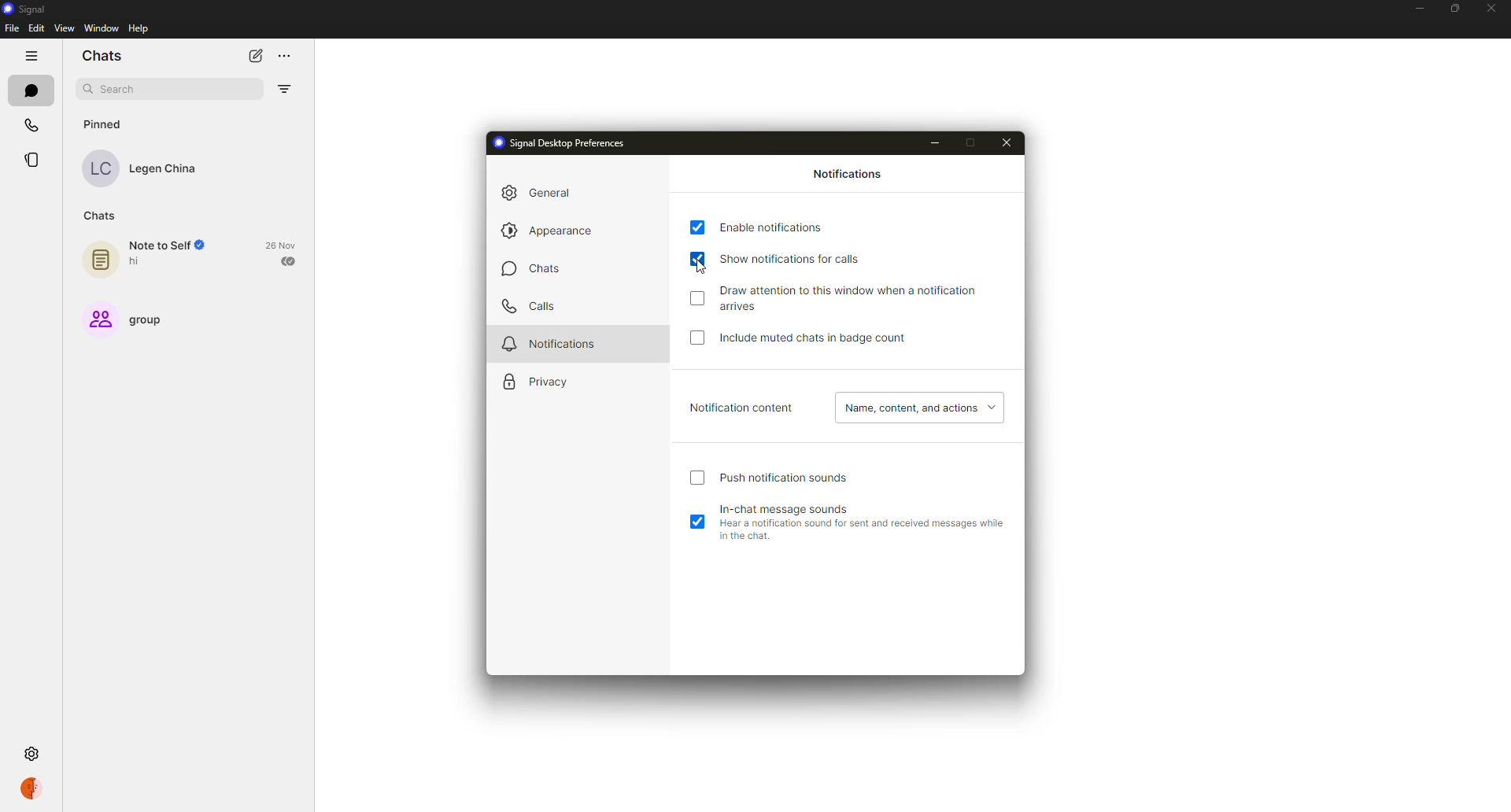 This screenshot has height=812, width=1511. I want to click on in-chat message sounds, so click(863, 521).